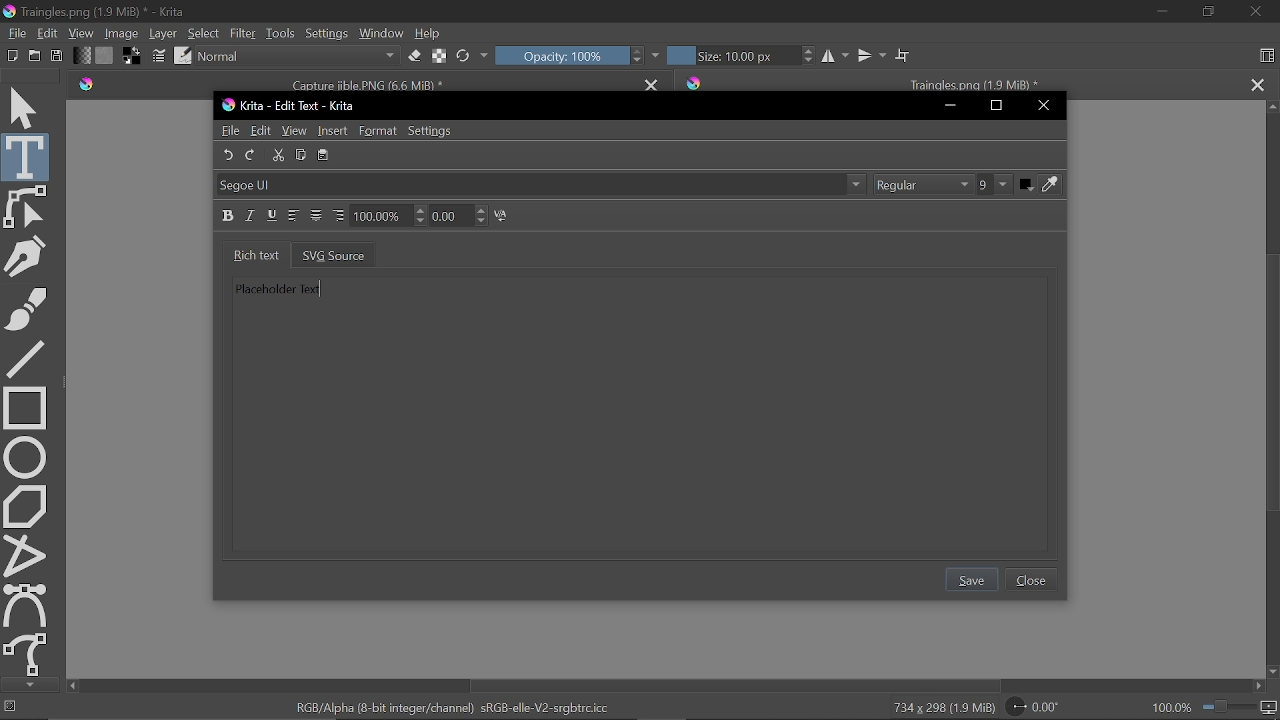 The height and width of the screenshot is (720, 1280). What do you see at coordinates (182, 56) in the screenshot?
I see `choose brush preset` at bounding box center [182, 56].